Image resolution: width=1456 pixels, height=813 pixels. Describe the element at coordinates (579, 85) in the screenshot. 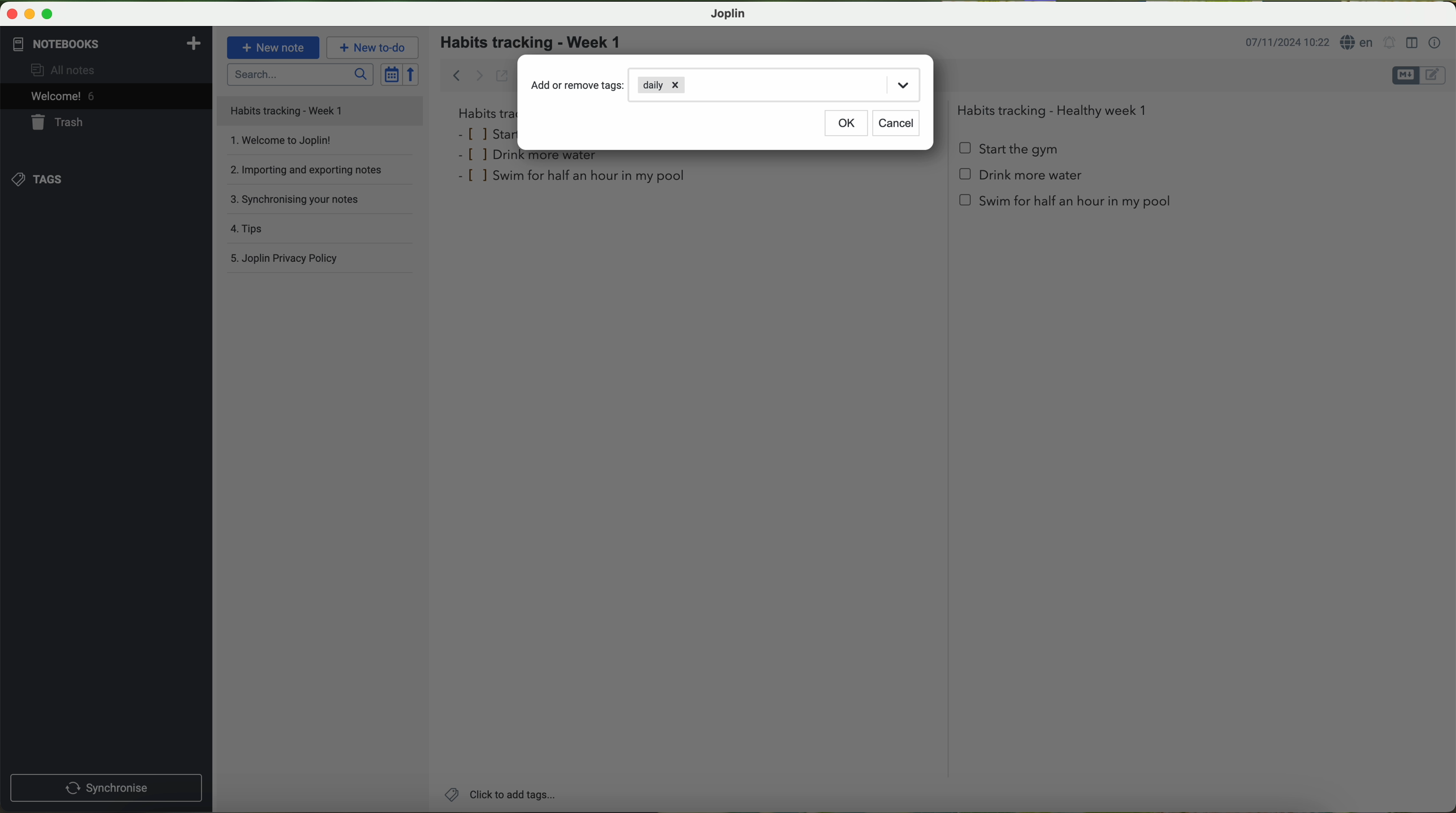

I see `add or remove tags` at that location.